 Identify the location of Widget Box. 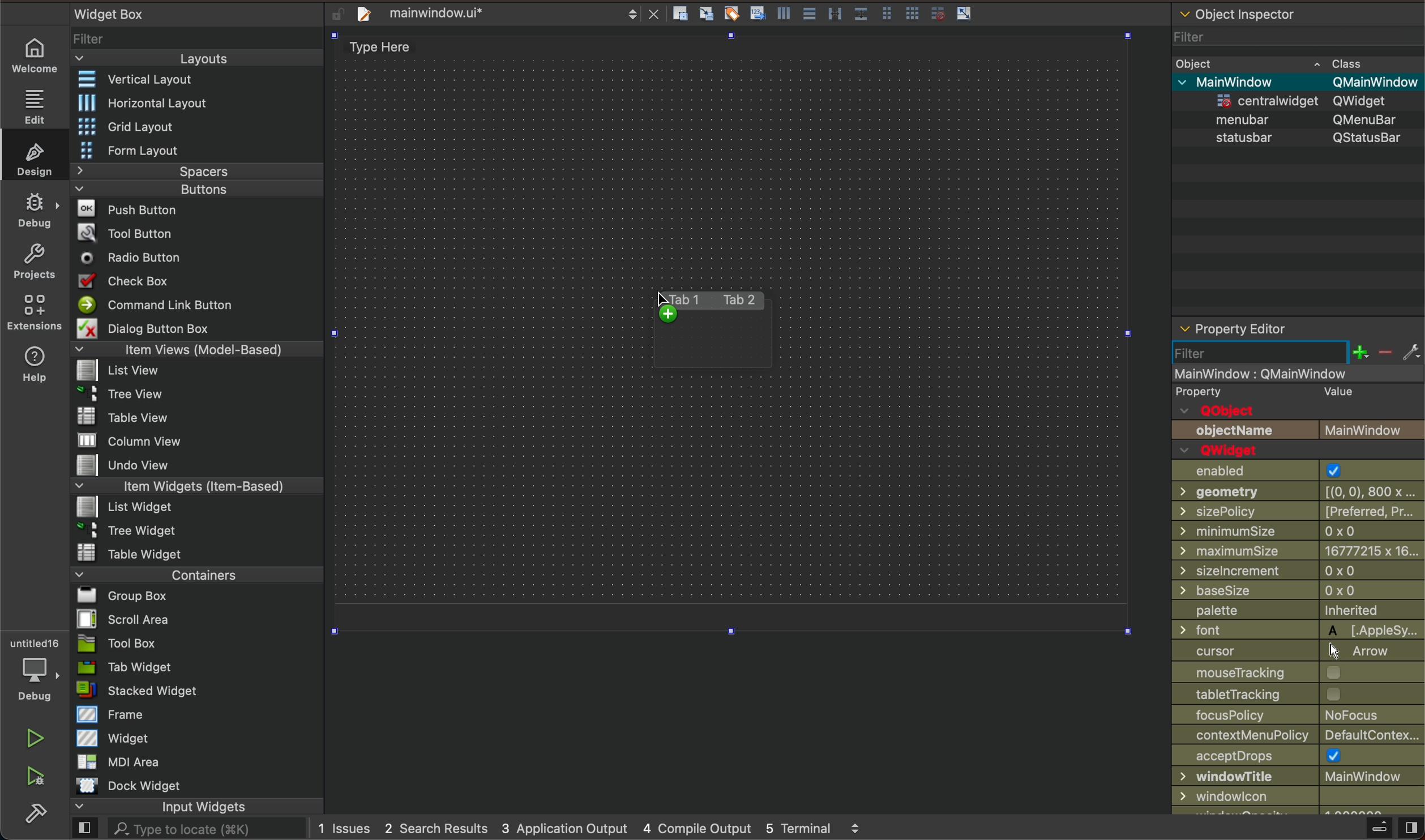
(105, 14).